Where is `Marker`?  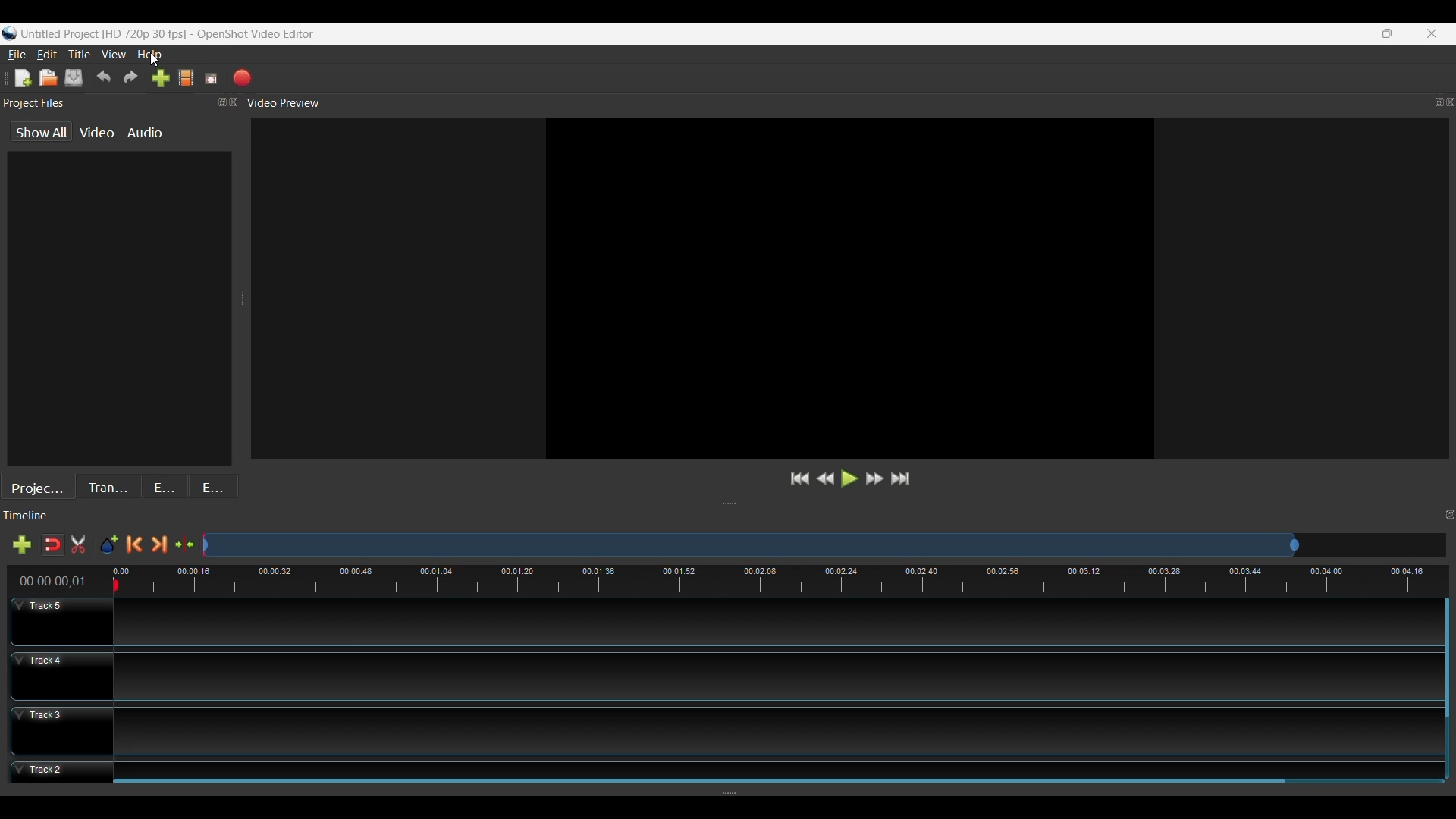
Marker is located at coordinates (108, 545).